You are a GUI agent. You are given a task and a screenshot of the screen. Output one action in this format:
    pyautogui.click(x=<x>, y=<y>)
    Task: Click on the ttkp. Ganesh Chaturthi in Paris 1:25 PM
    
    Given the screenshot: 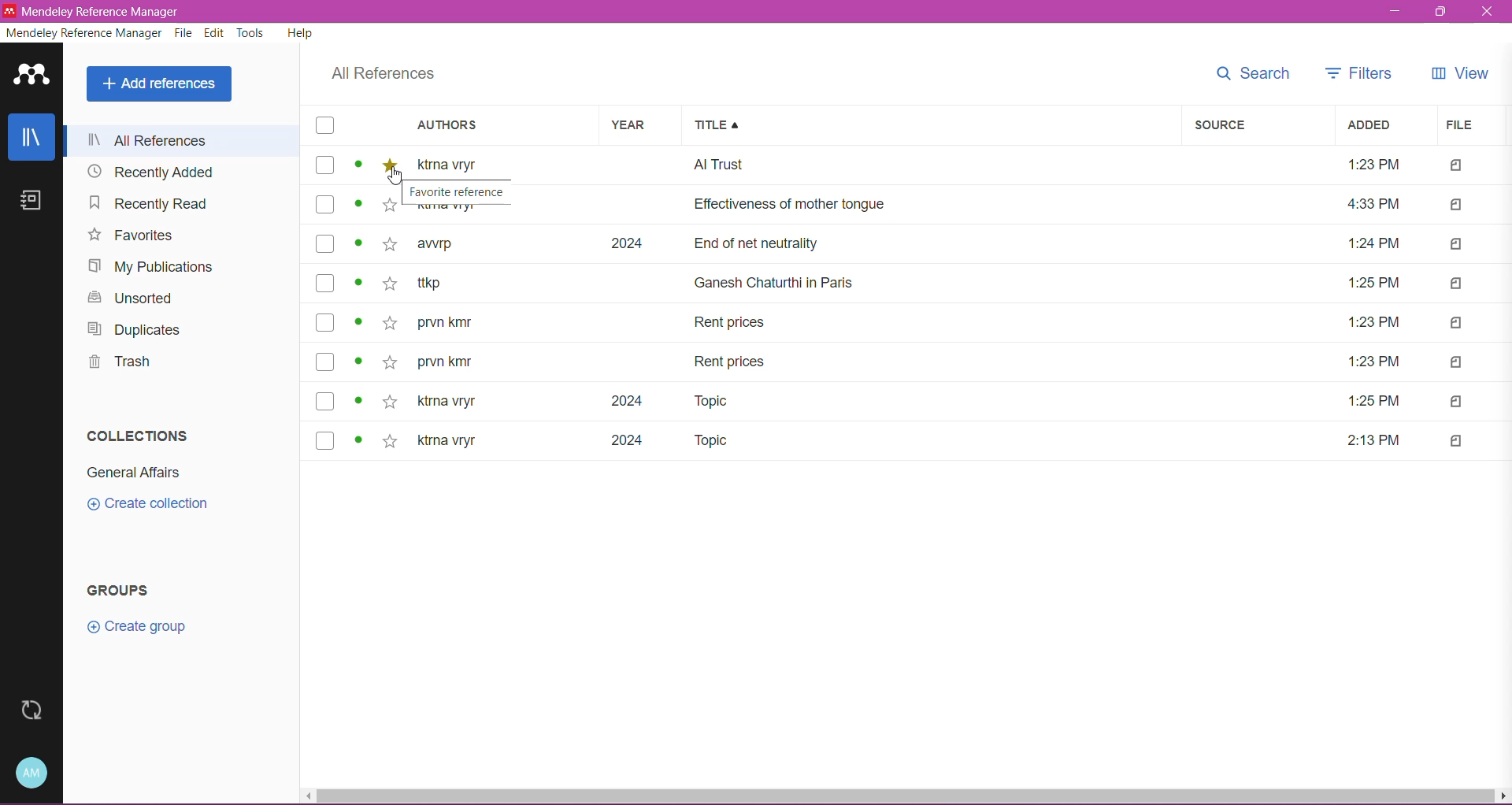 What is the action you would take?
    pyautogui.click(x=911, y=283)
    